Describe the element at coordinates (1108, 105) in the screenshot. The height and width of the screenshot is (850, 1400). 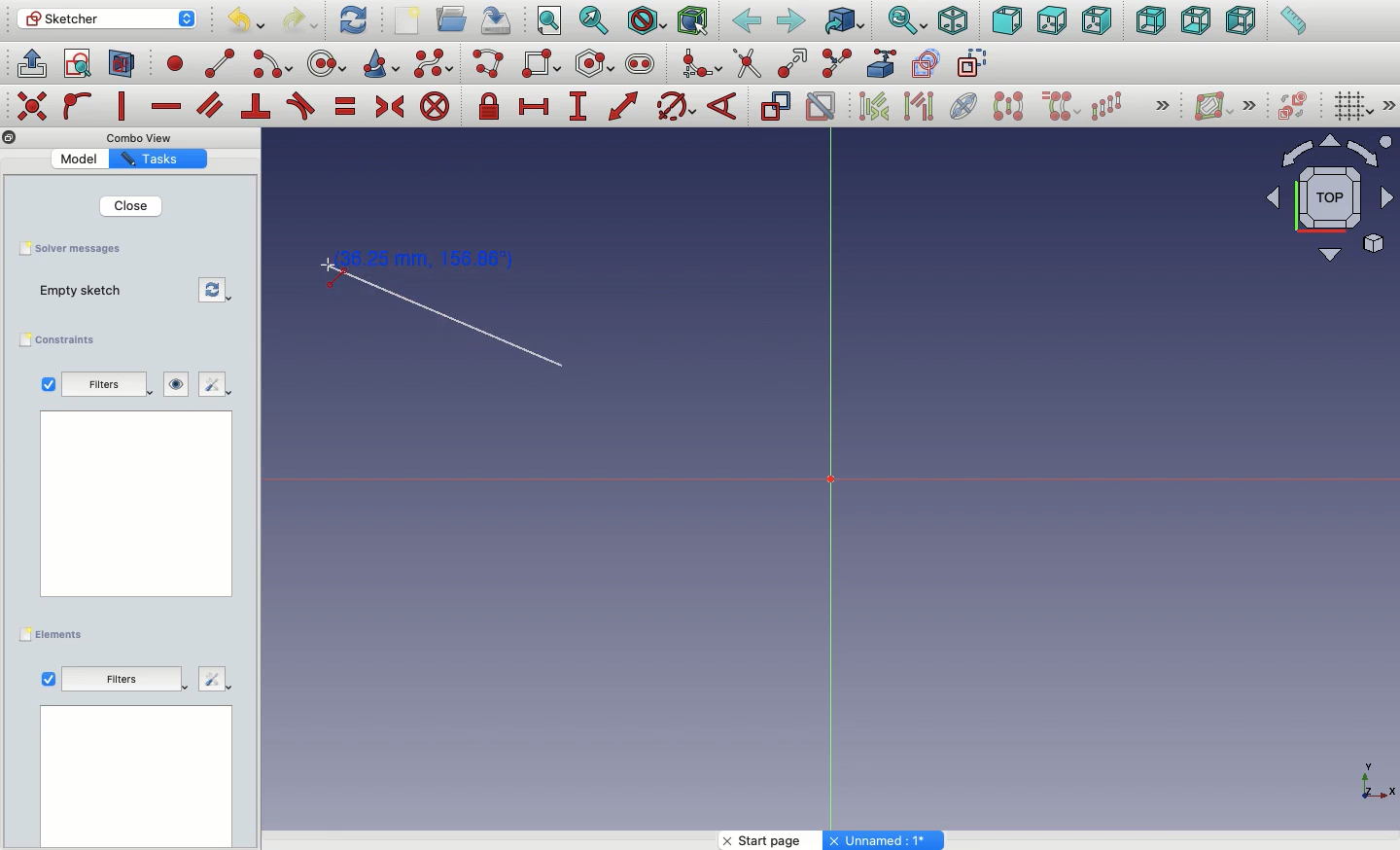
I see `Rectangular array` at that location.